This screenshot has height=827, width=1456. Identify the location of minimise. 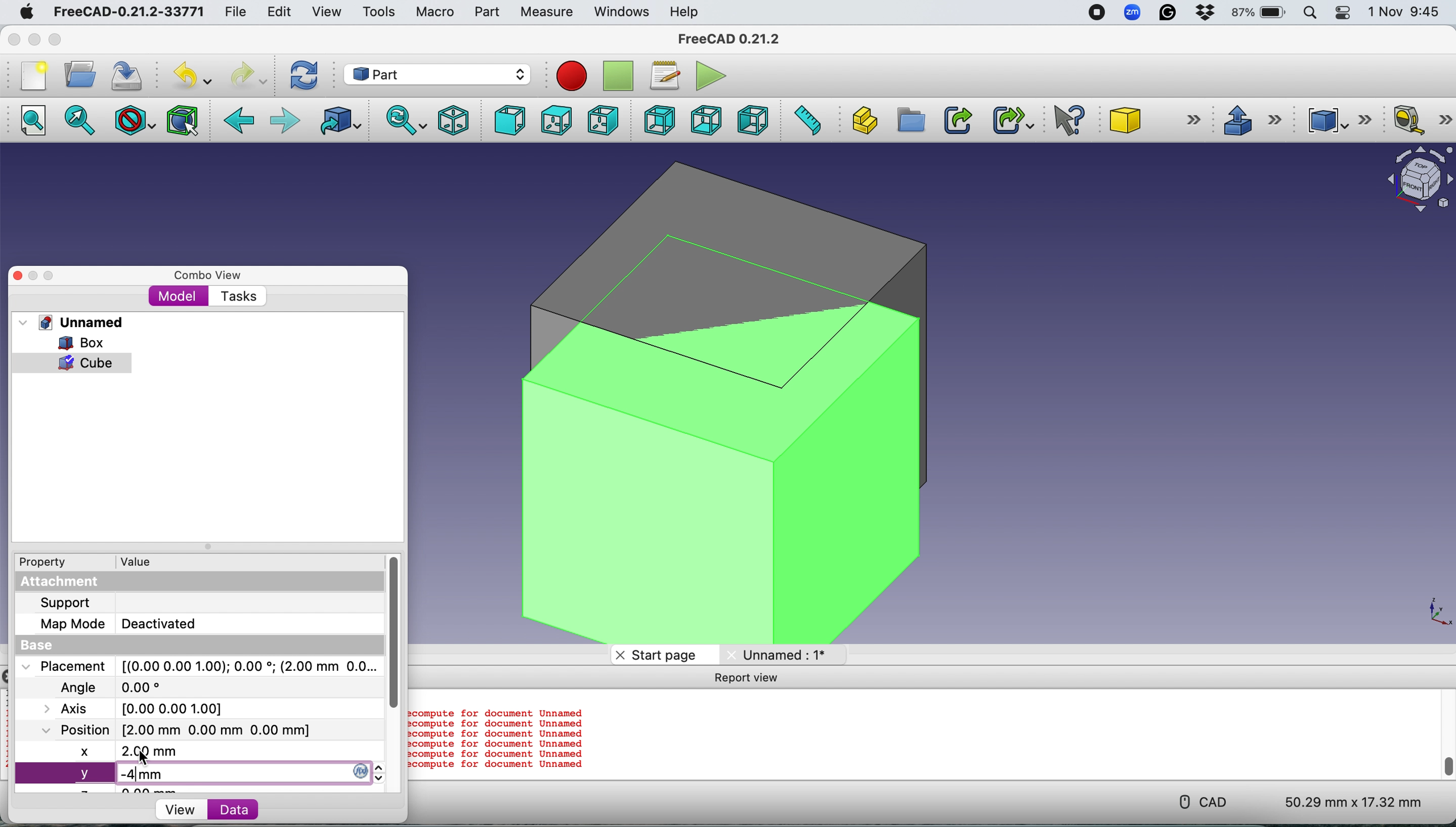
(34, 39).